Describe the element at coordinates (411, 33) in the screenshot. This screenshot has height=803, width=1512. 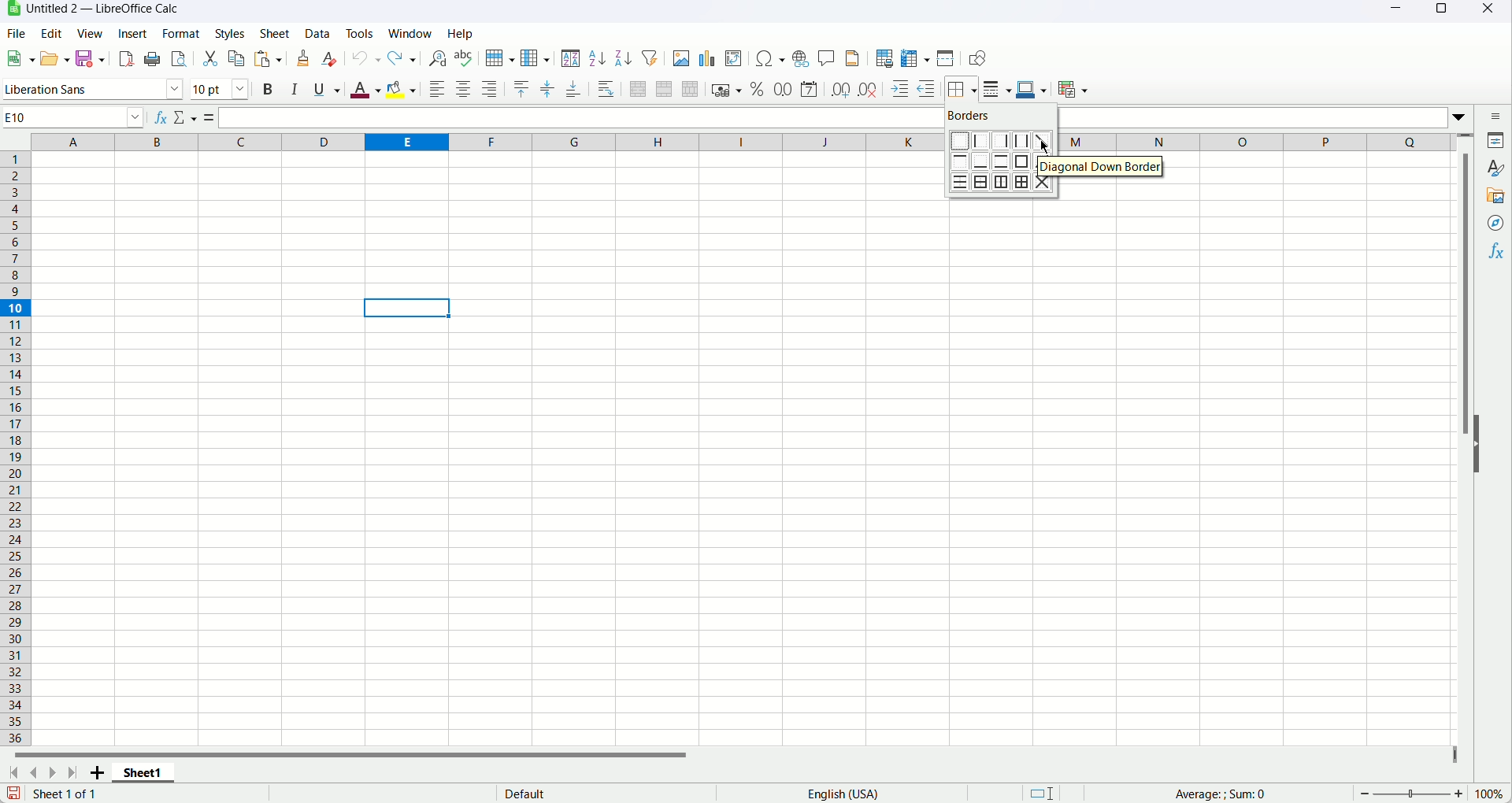
I see `Window` at that location.